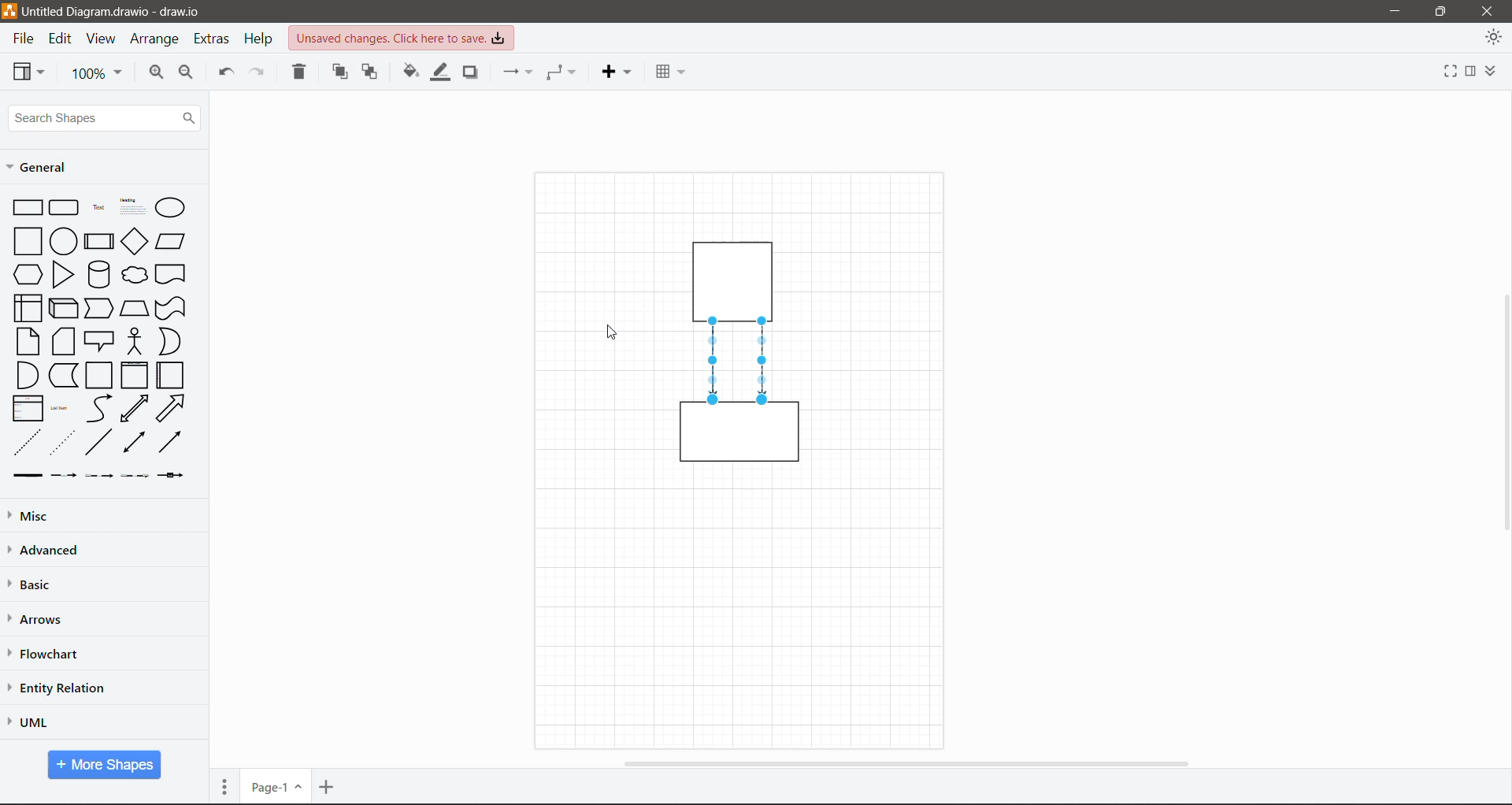 The width and height of the screenshot is (1512, 805). I want to click on To Back, so click(371, 73).